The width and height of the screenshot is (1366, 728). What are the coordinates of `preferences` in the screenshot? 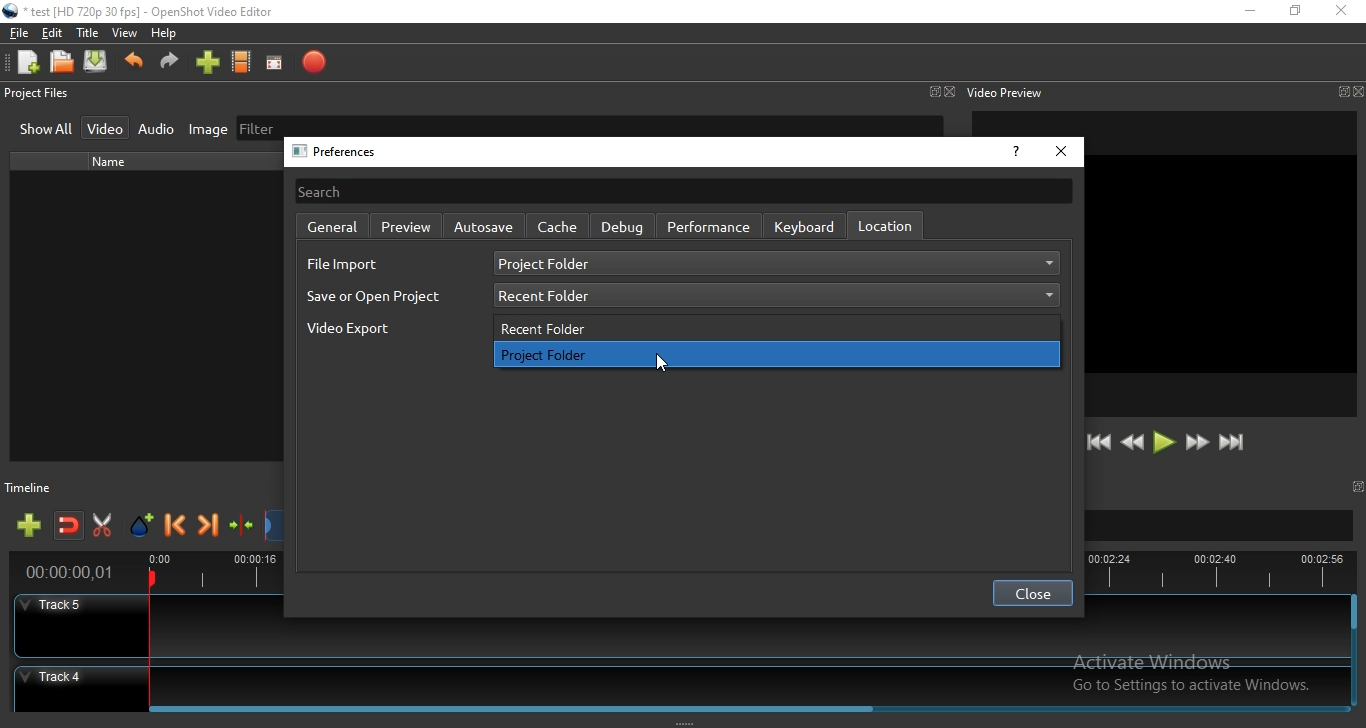 It's located at (341, 152).